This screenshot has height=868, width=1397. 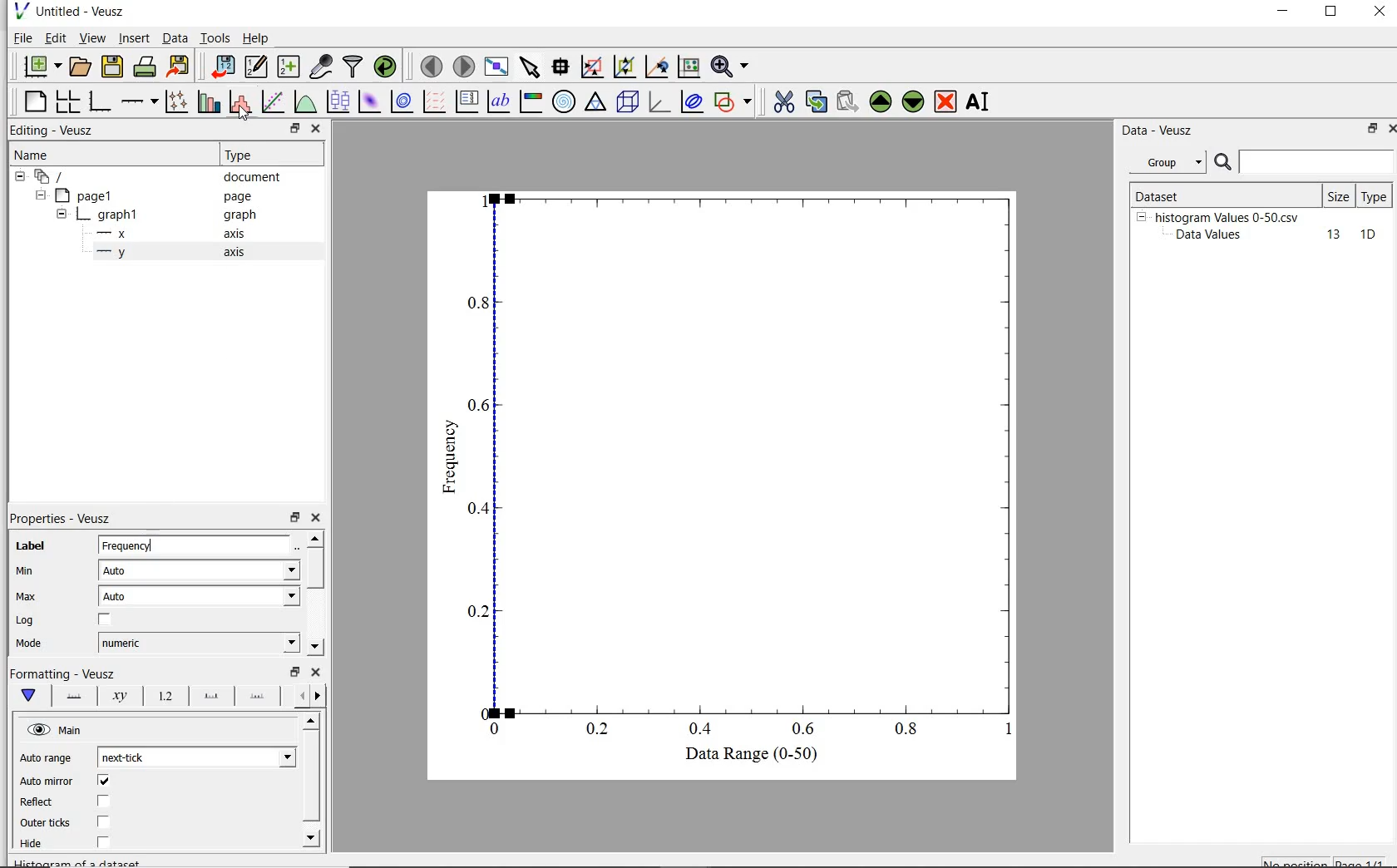 I want to click on , so click(x=241, y=215).